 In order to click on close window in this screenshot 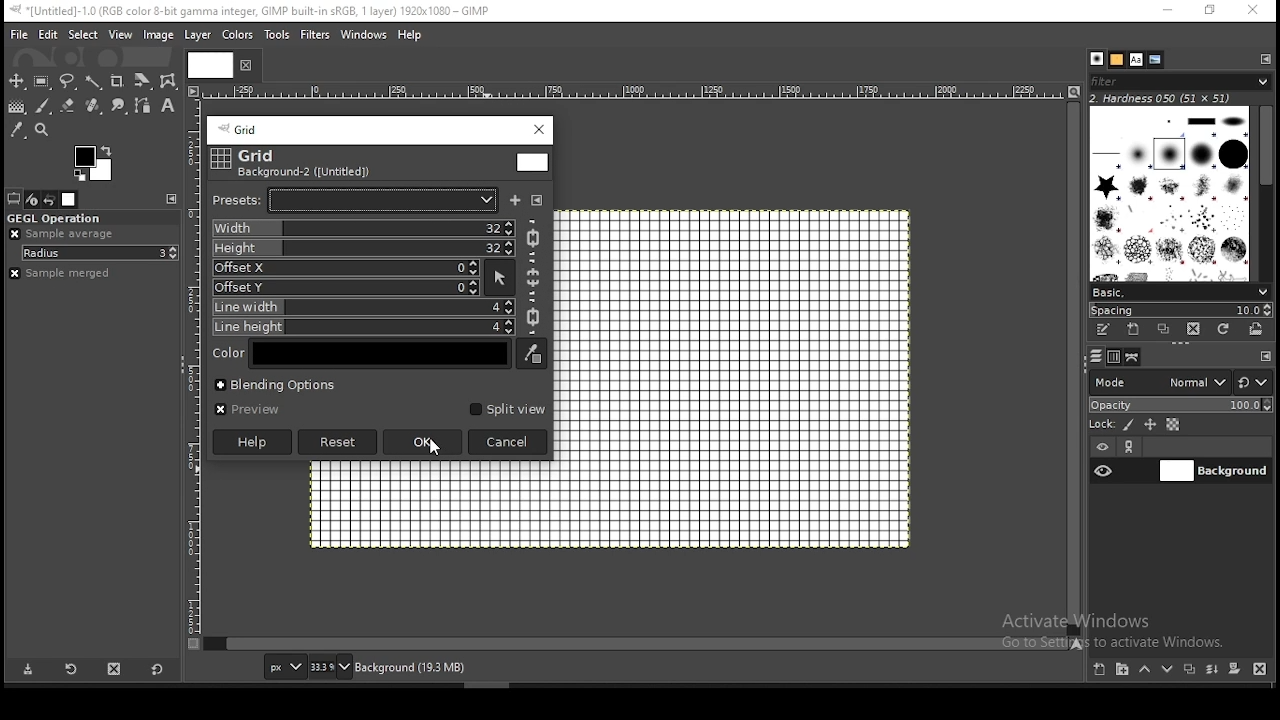, I will do `click(541, 129)`.